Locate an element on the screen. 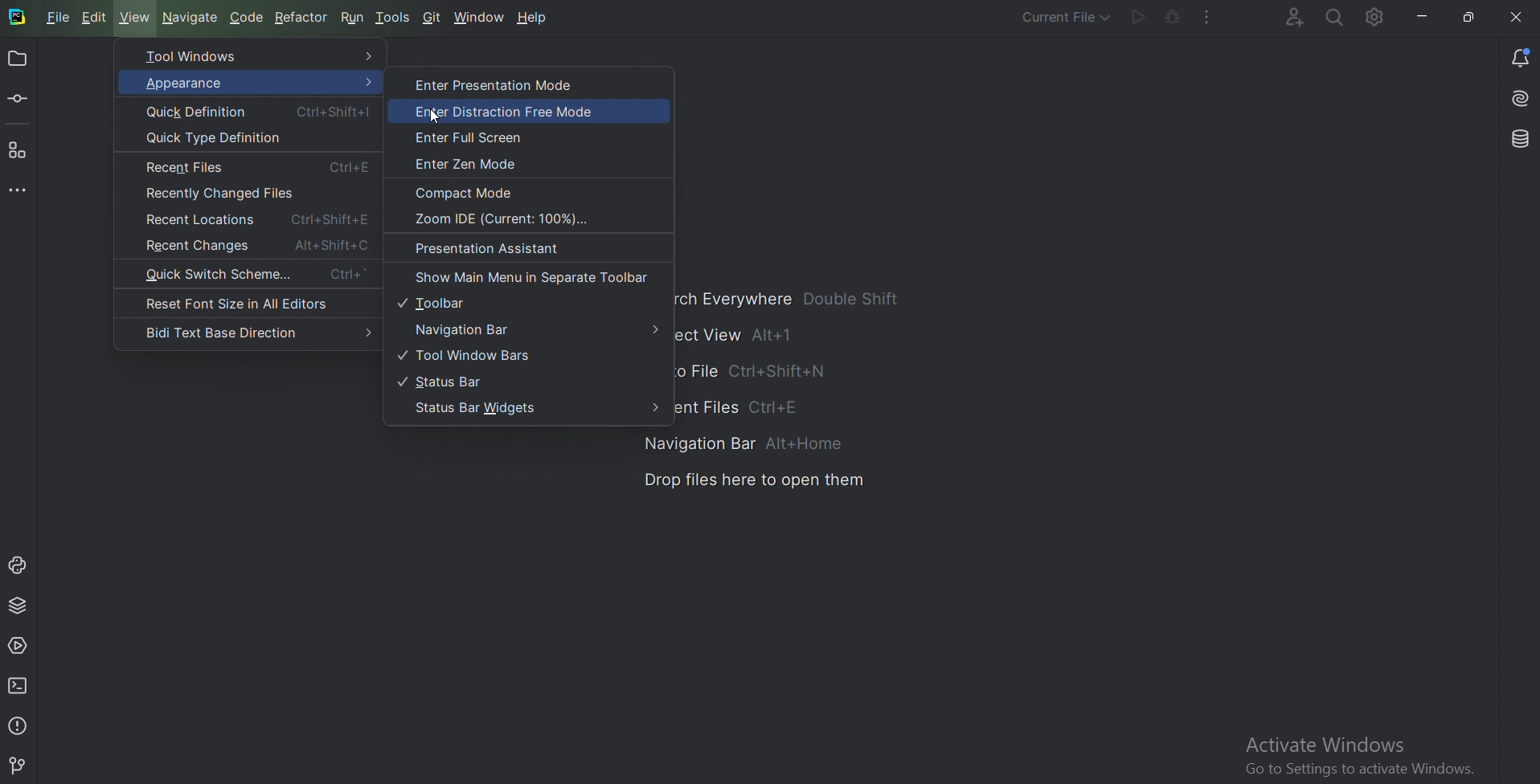  Quick switch Scheme is located at coordinates (252, 276).